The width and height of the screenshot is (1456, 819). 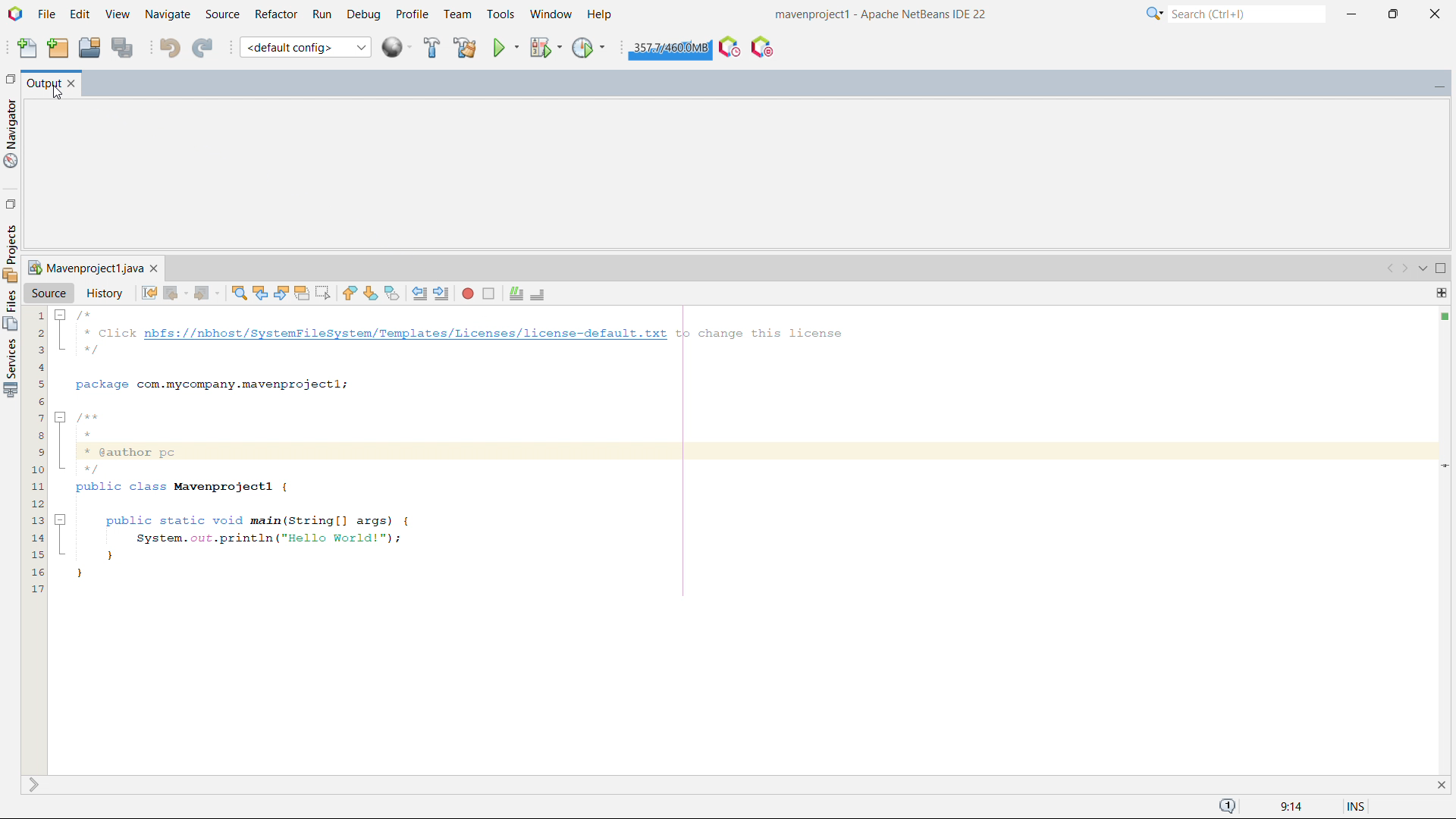 I want to click on minimize, so click(x=1351, y=14).